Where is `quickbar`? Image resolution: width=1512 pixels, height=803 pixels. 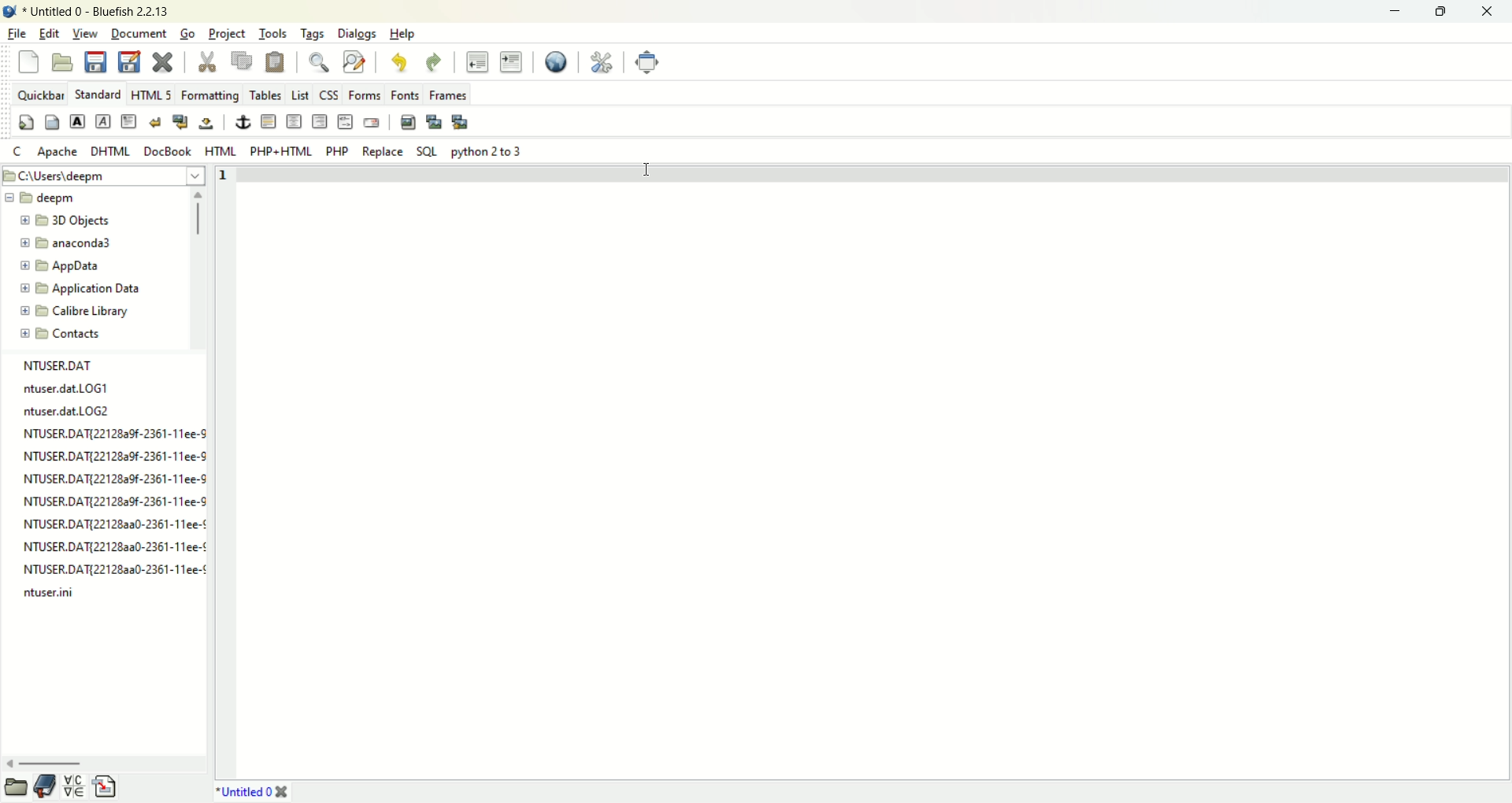
quickbar is located at coordinates (34, 95).